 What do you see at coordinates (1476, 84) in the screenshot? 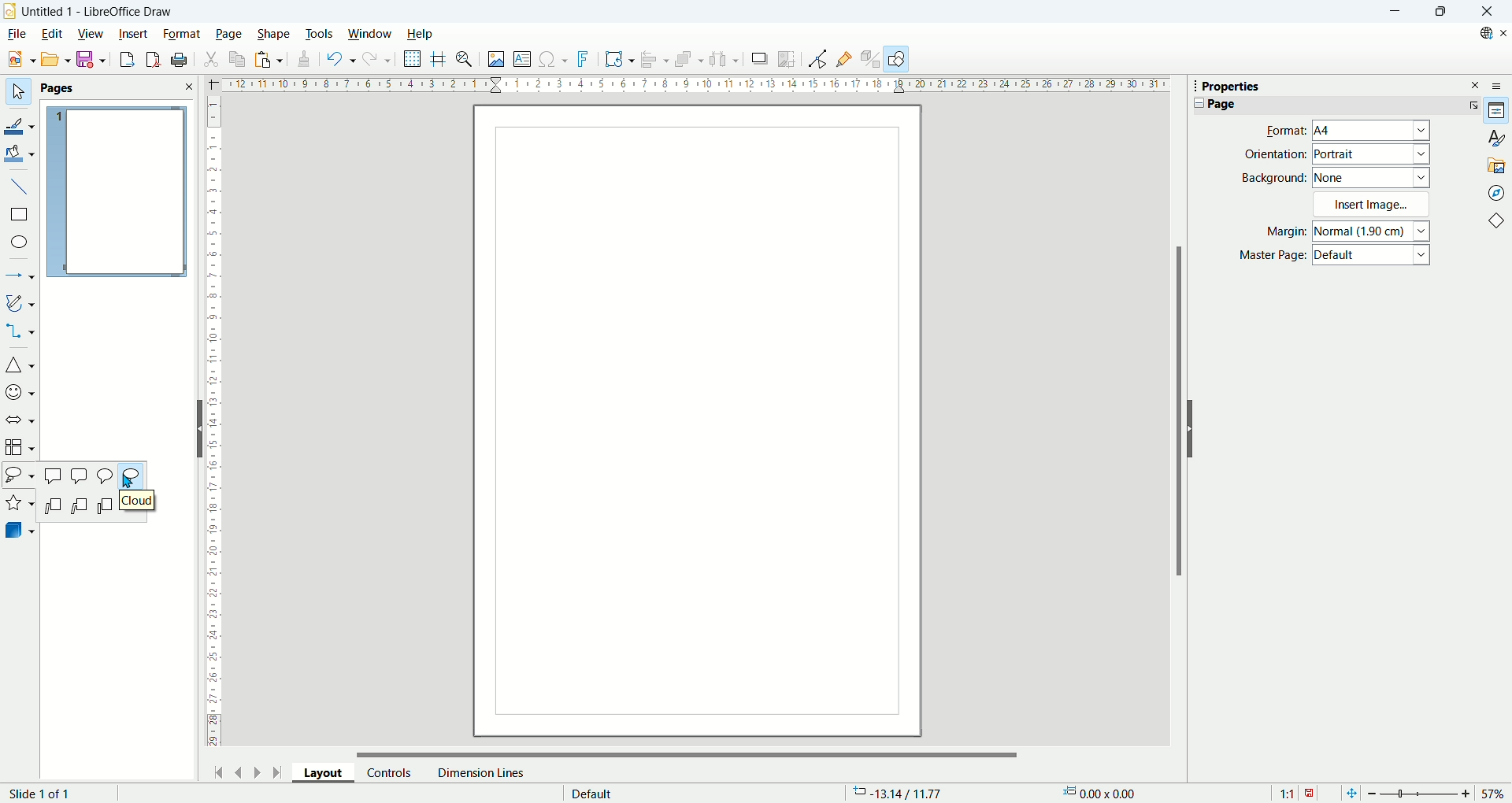
I see `Close sidebar deck` at bounding box center [1476, 84].